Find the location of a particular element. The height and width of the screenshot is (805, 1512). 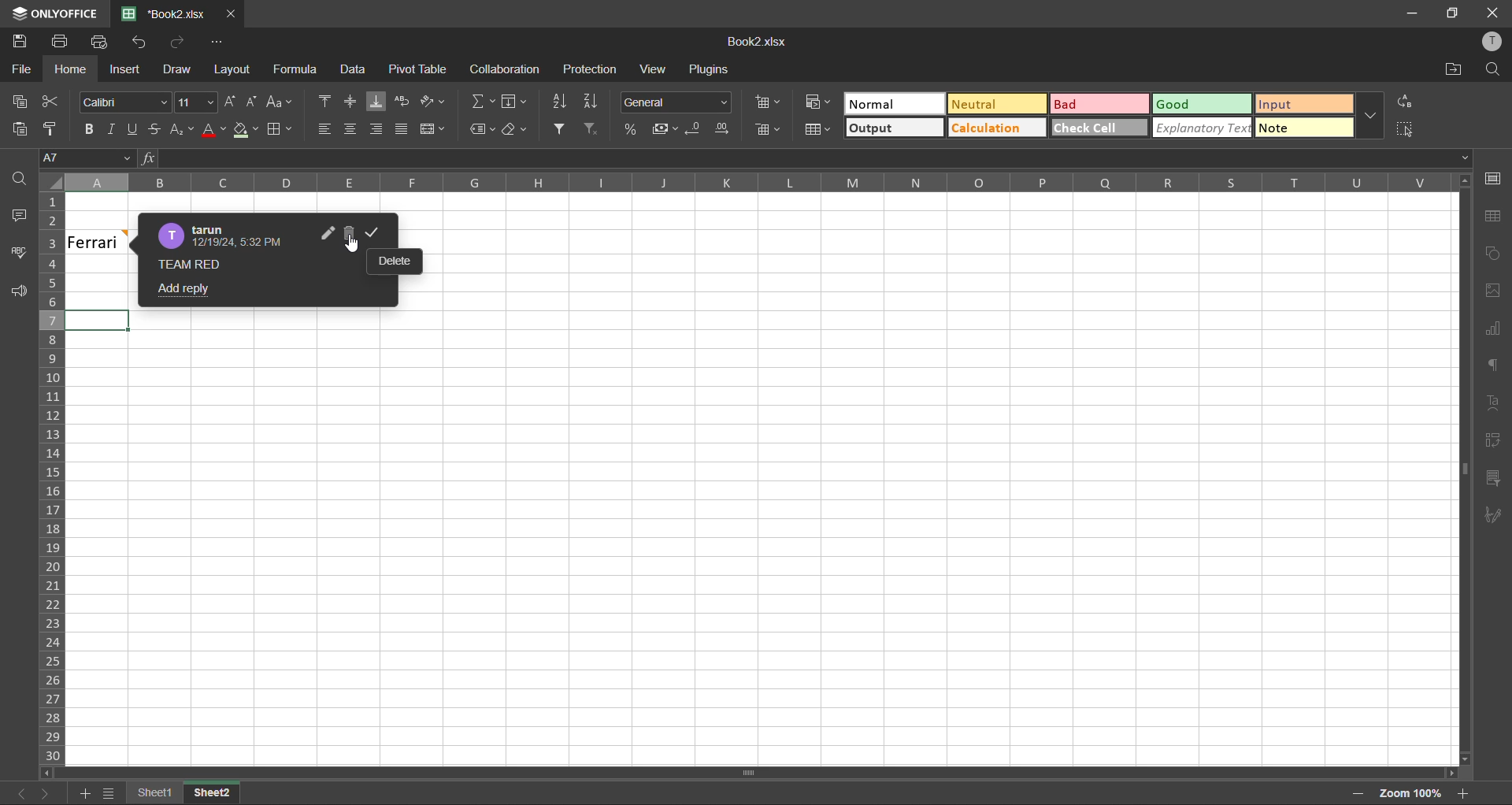

tooltip is located at coordinates (396, 263).